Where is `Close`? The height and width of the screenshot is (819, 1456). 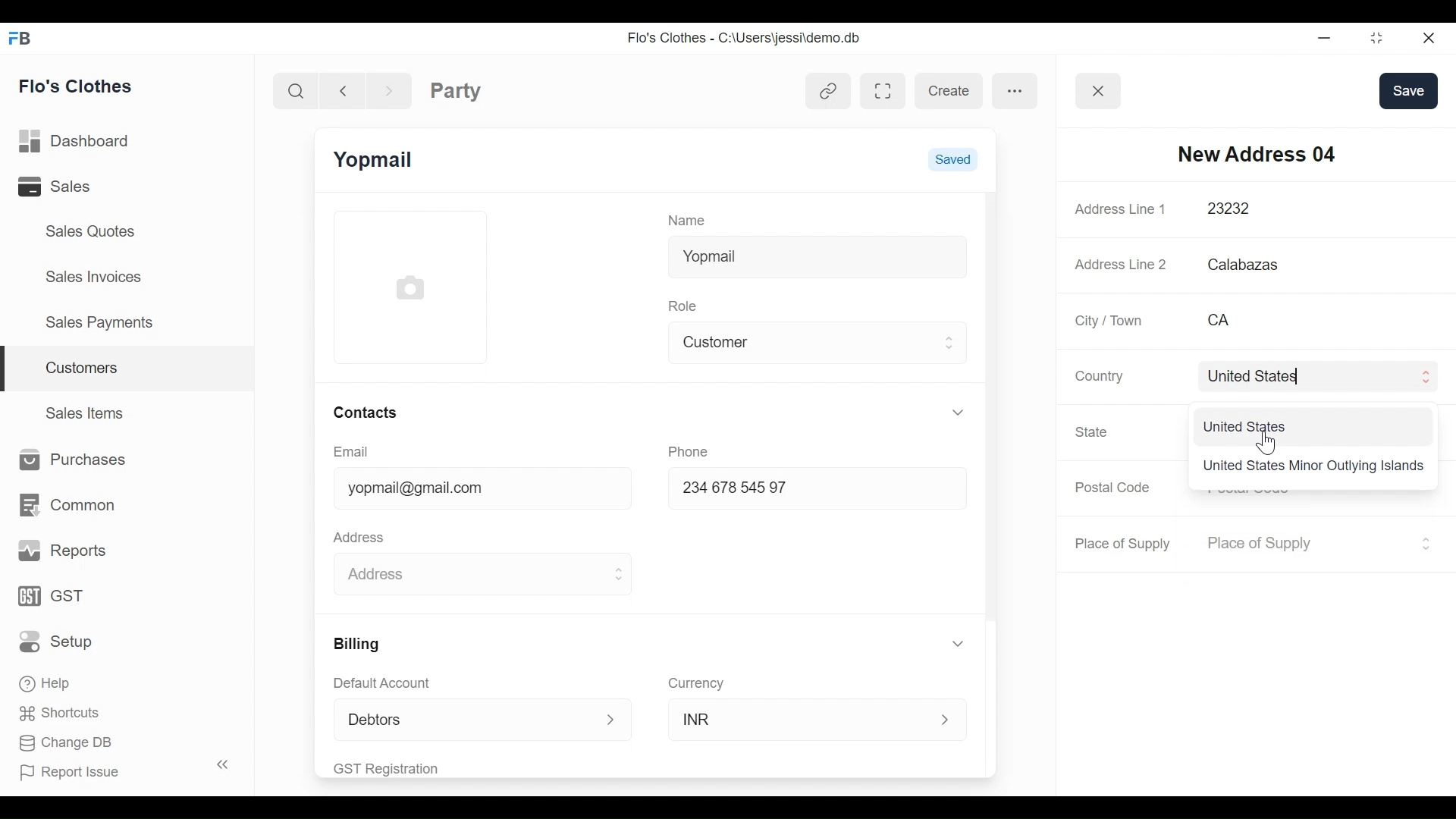
Close is located at coordinates (1426, 37).